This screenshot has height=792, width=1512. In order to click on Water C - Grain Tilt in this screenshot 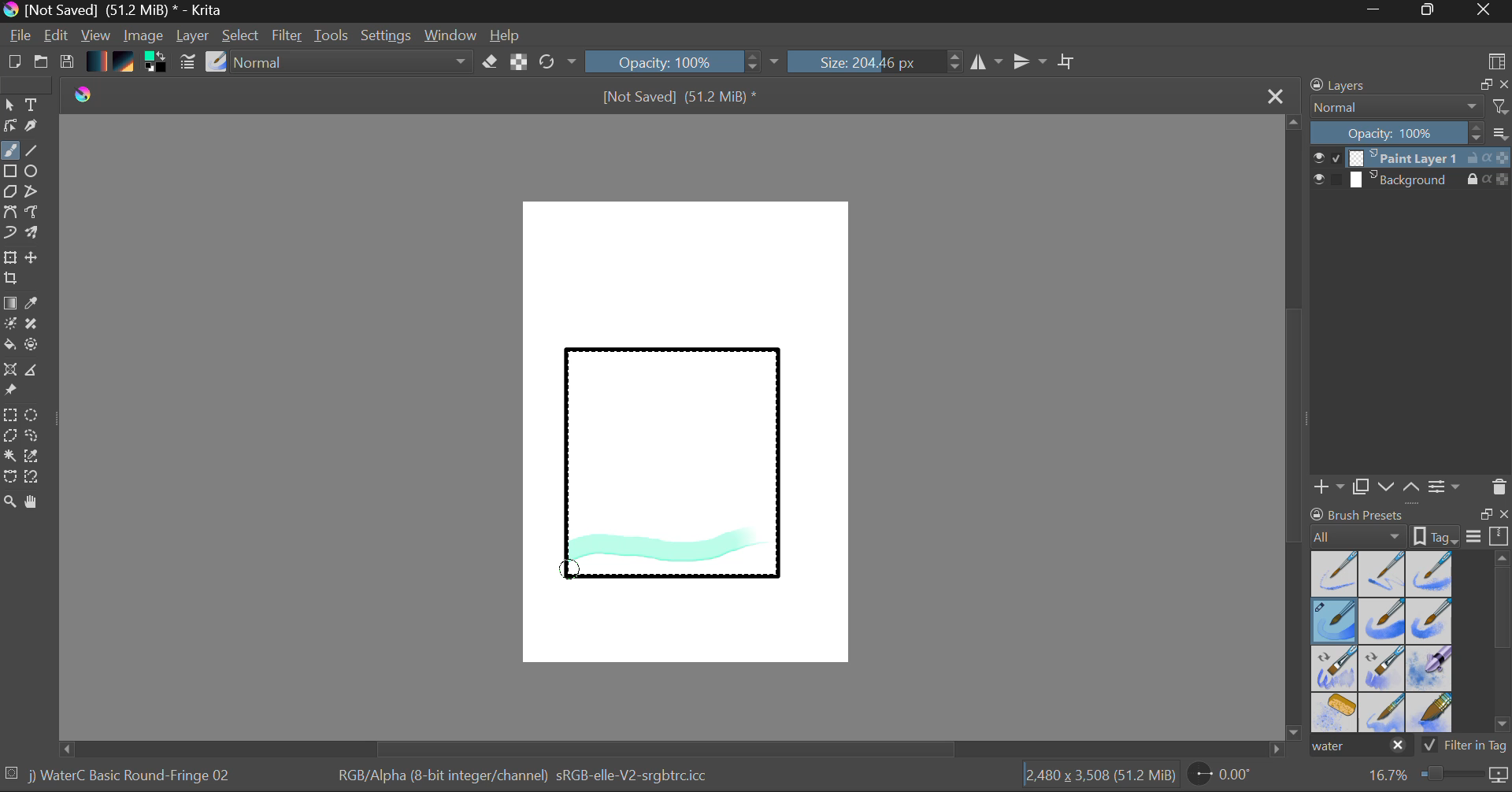, I will do `click(1336, 668)`.